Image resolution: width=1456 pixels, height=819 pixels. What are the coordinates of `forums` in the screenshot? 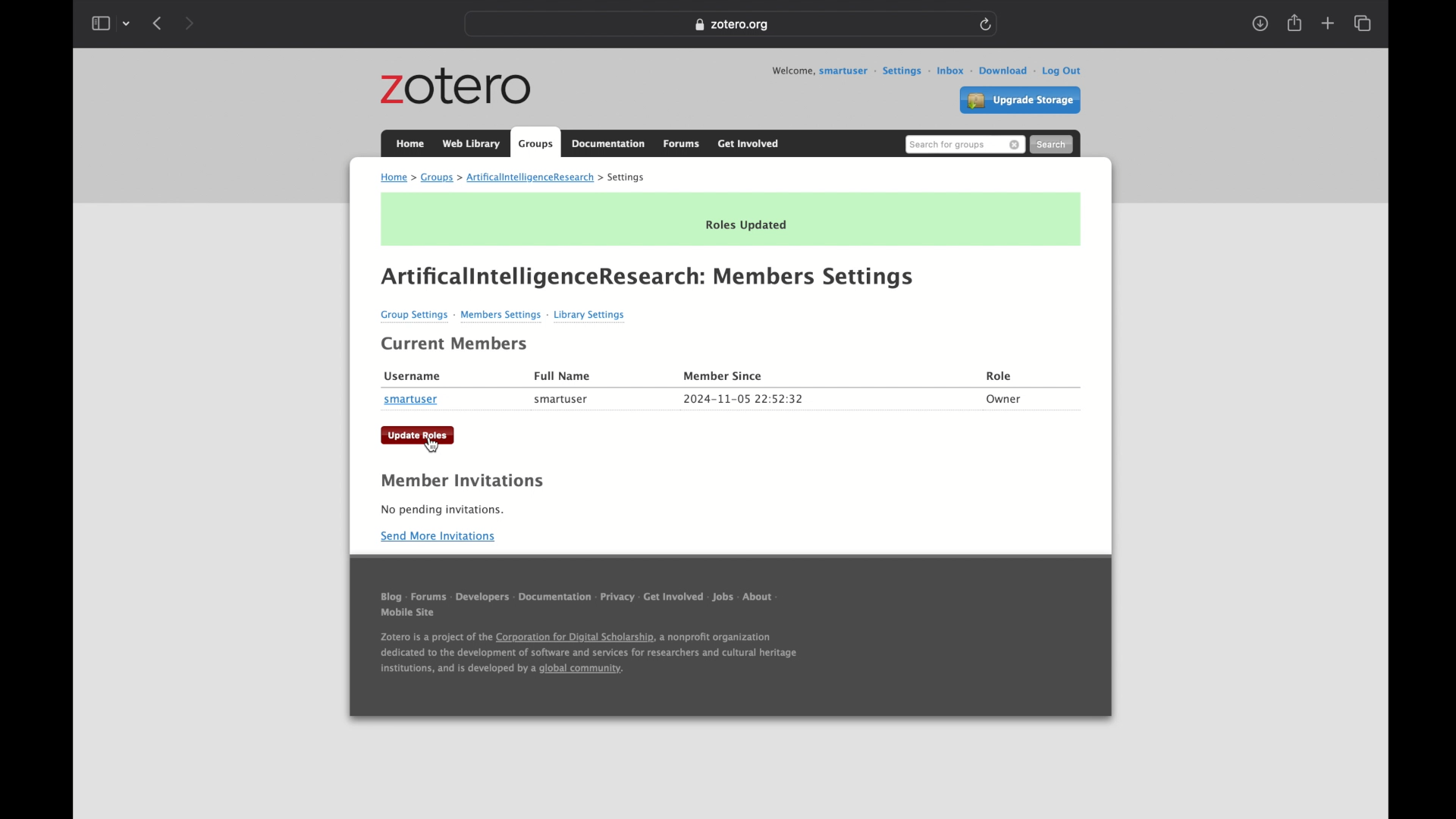 It's located at (428, 600).